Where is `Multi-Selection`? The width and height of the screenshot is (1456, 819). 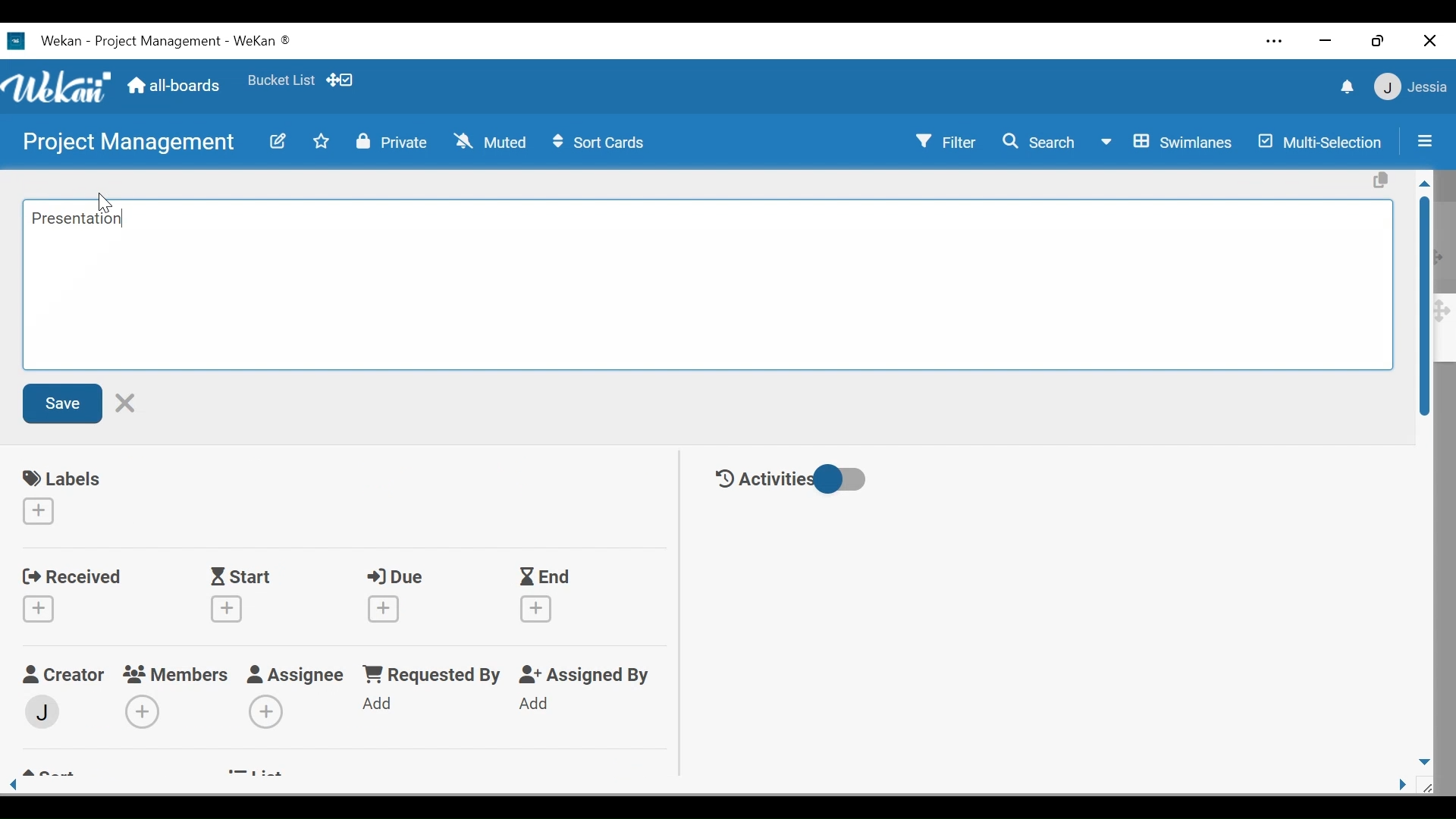
Multi-Selection is located at coordinates (1321, 143).